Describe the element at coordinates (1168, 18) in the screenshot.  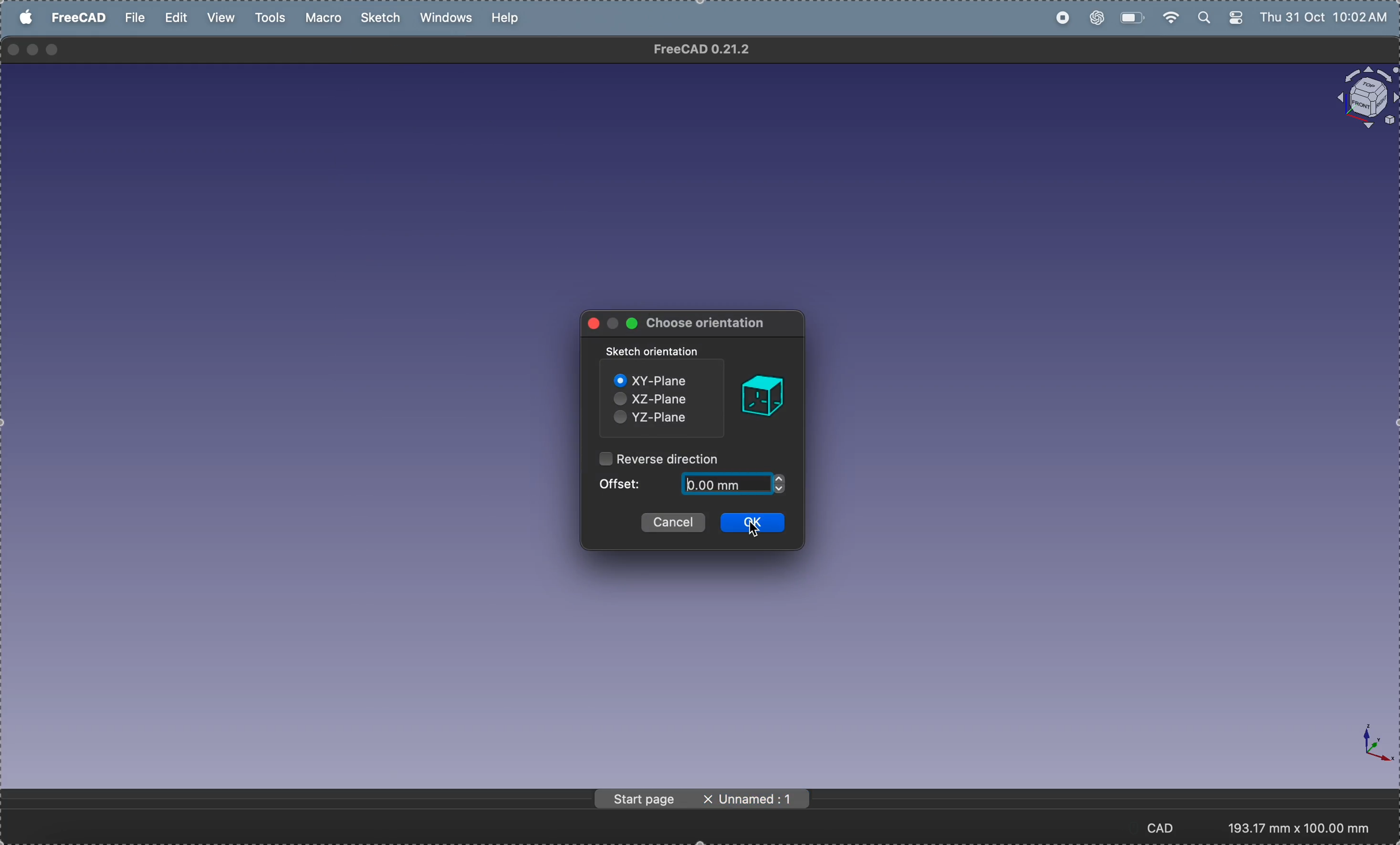
I see `wifi` at that location.